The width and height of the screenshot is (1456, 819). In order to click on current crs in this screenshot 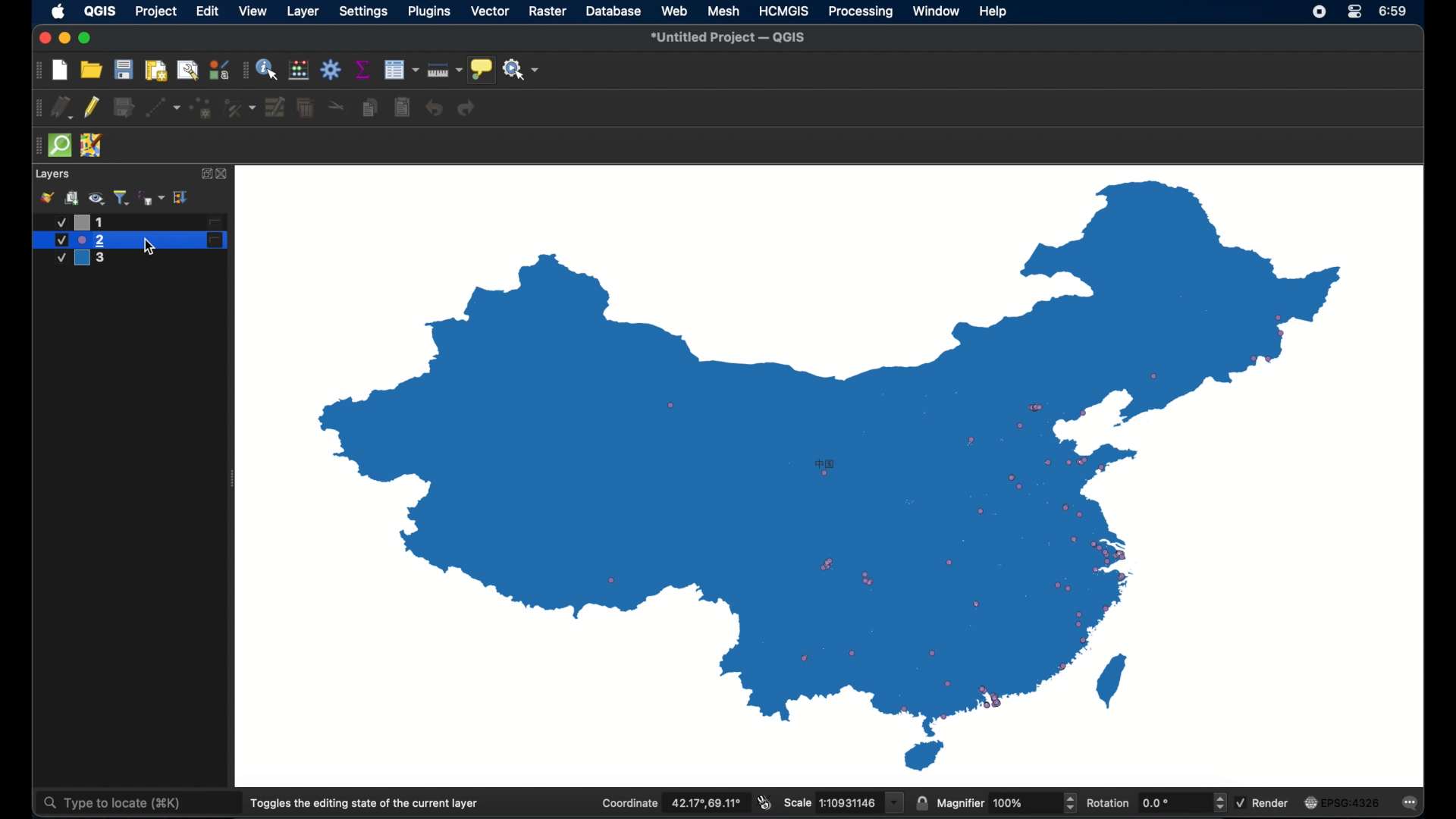, I will do `click(1343, 802)`.